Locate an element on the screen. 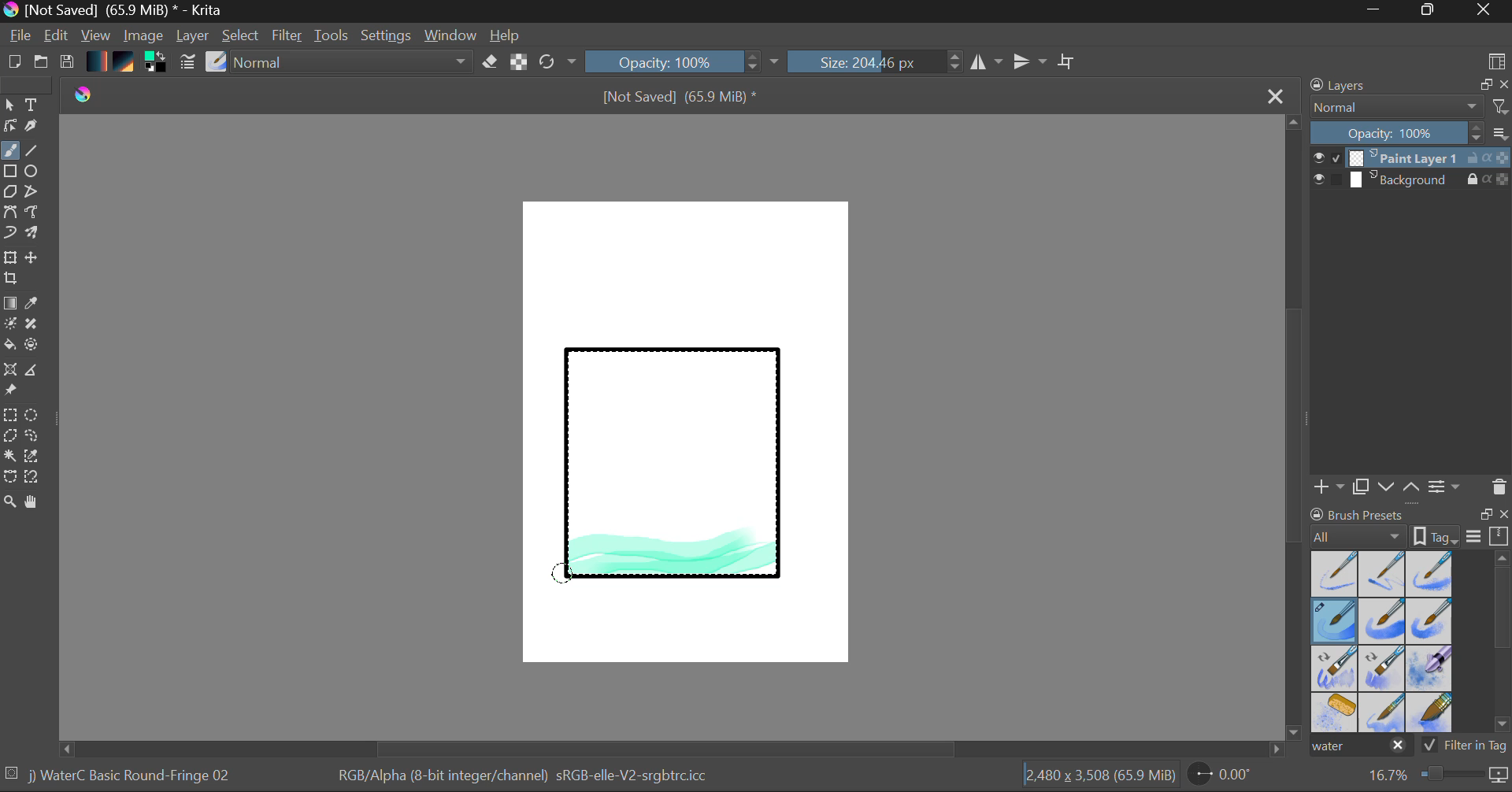  Brush Settings is located at coordinates (186, 63).